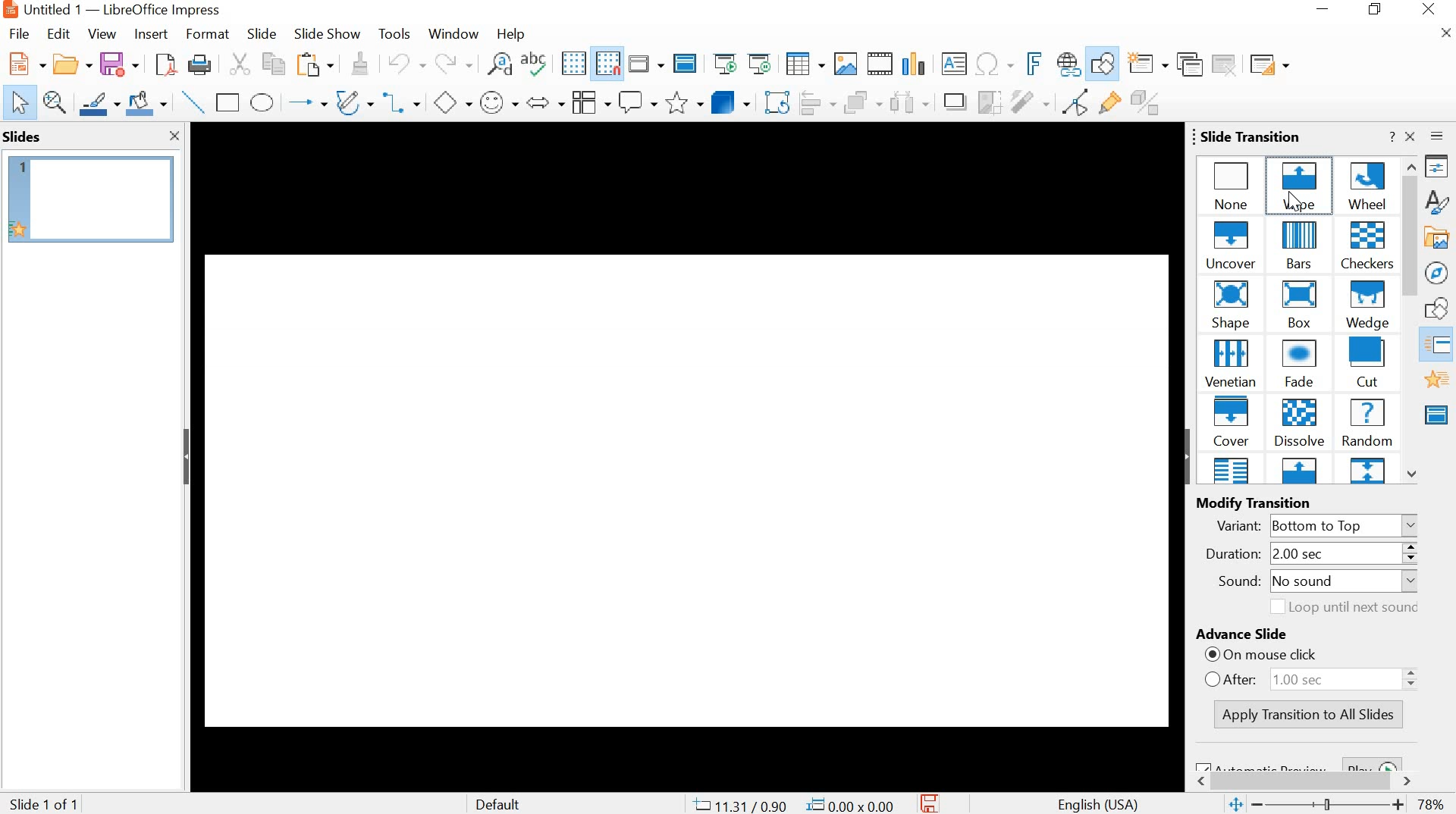 The width and height of the screenshot is (1456, 814). Describe the element at coordinates (1319, 656) in the screenshot. I see `ON MOUSE CLICK` at that location.